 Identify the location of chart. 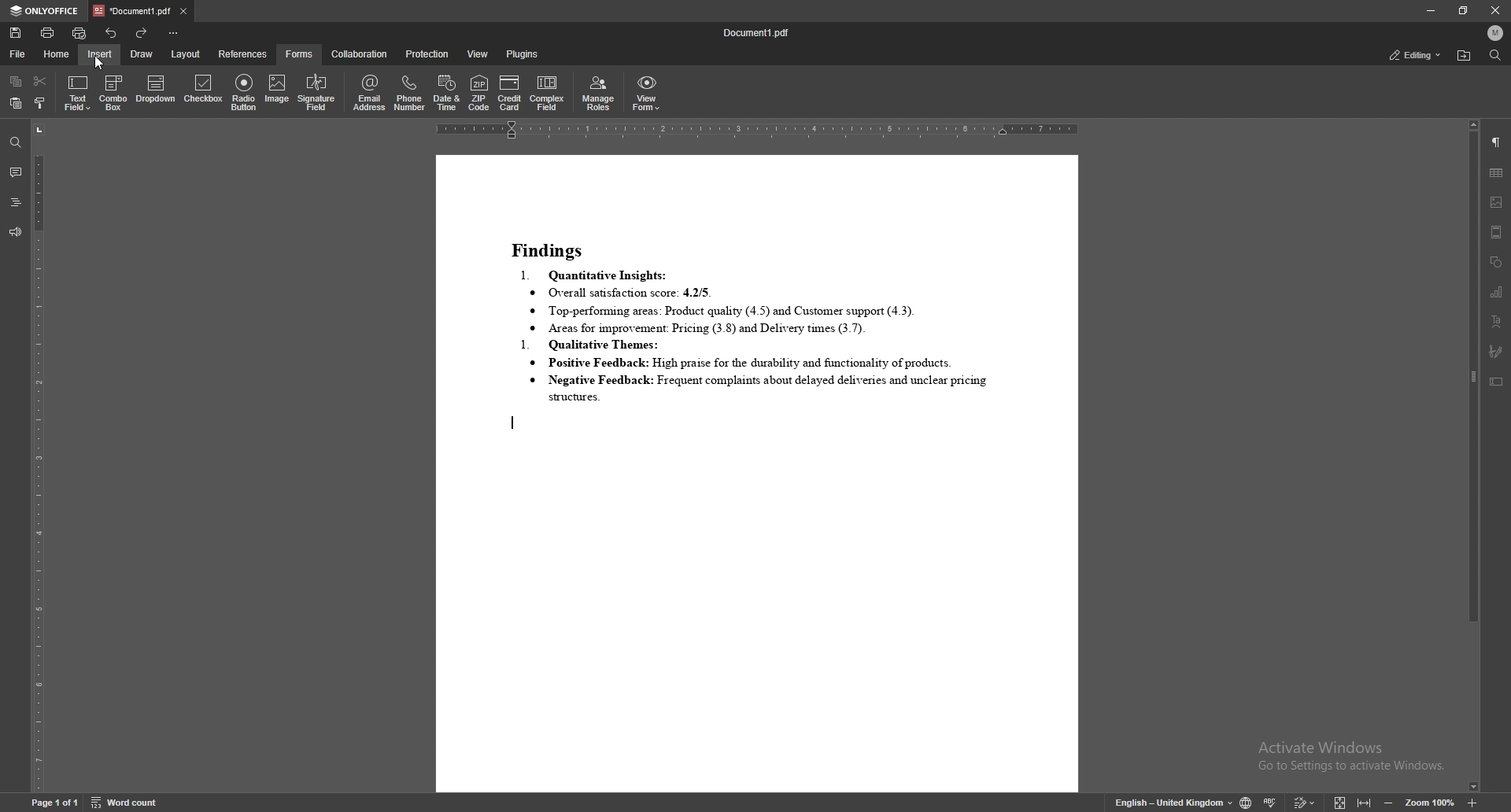
(1497, 291).